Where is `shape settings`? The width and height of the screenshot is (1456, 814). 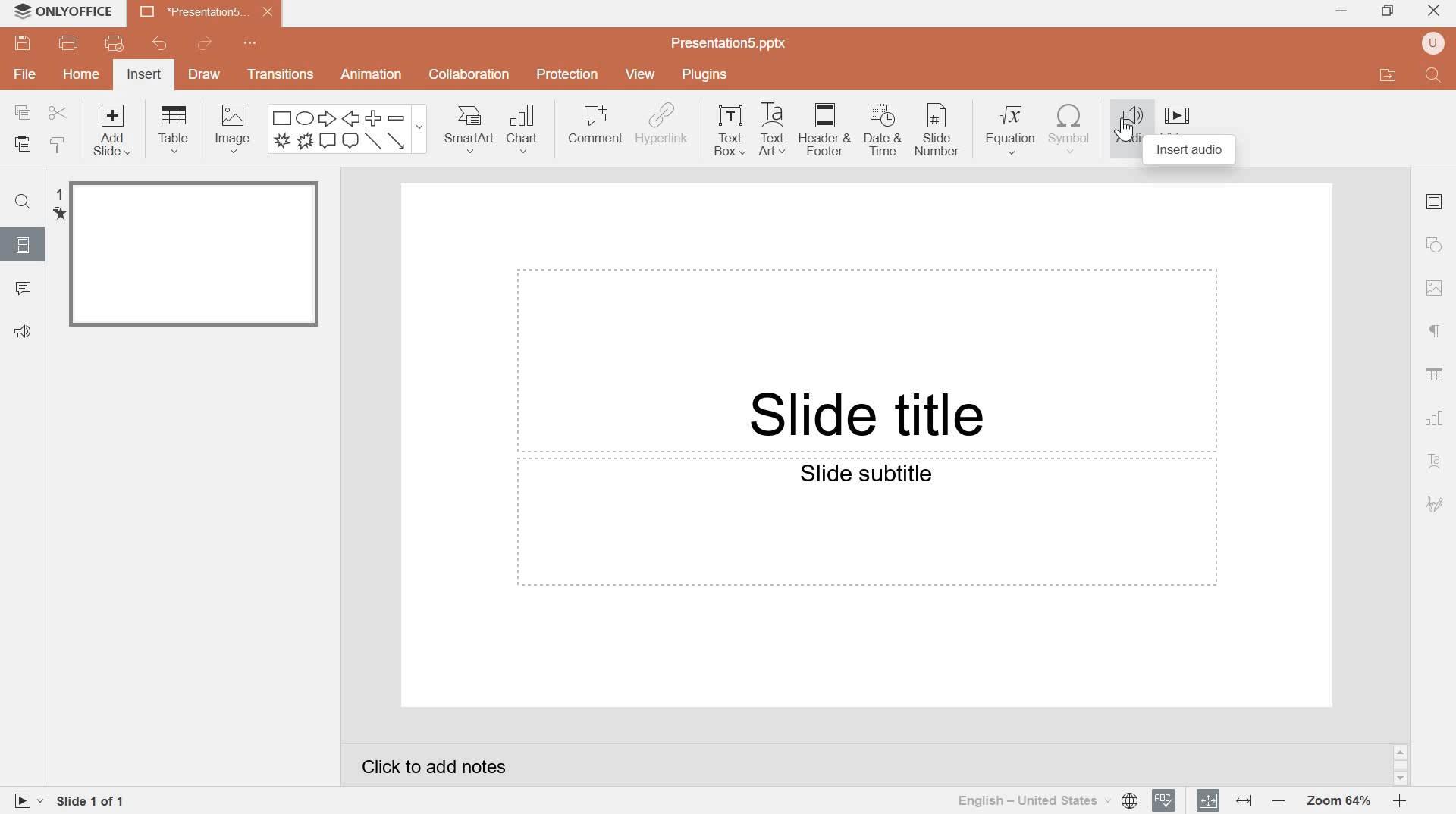
shape settings is located at coordinates (1432, 246).